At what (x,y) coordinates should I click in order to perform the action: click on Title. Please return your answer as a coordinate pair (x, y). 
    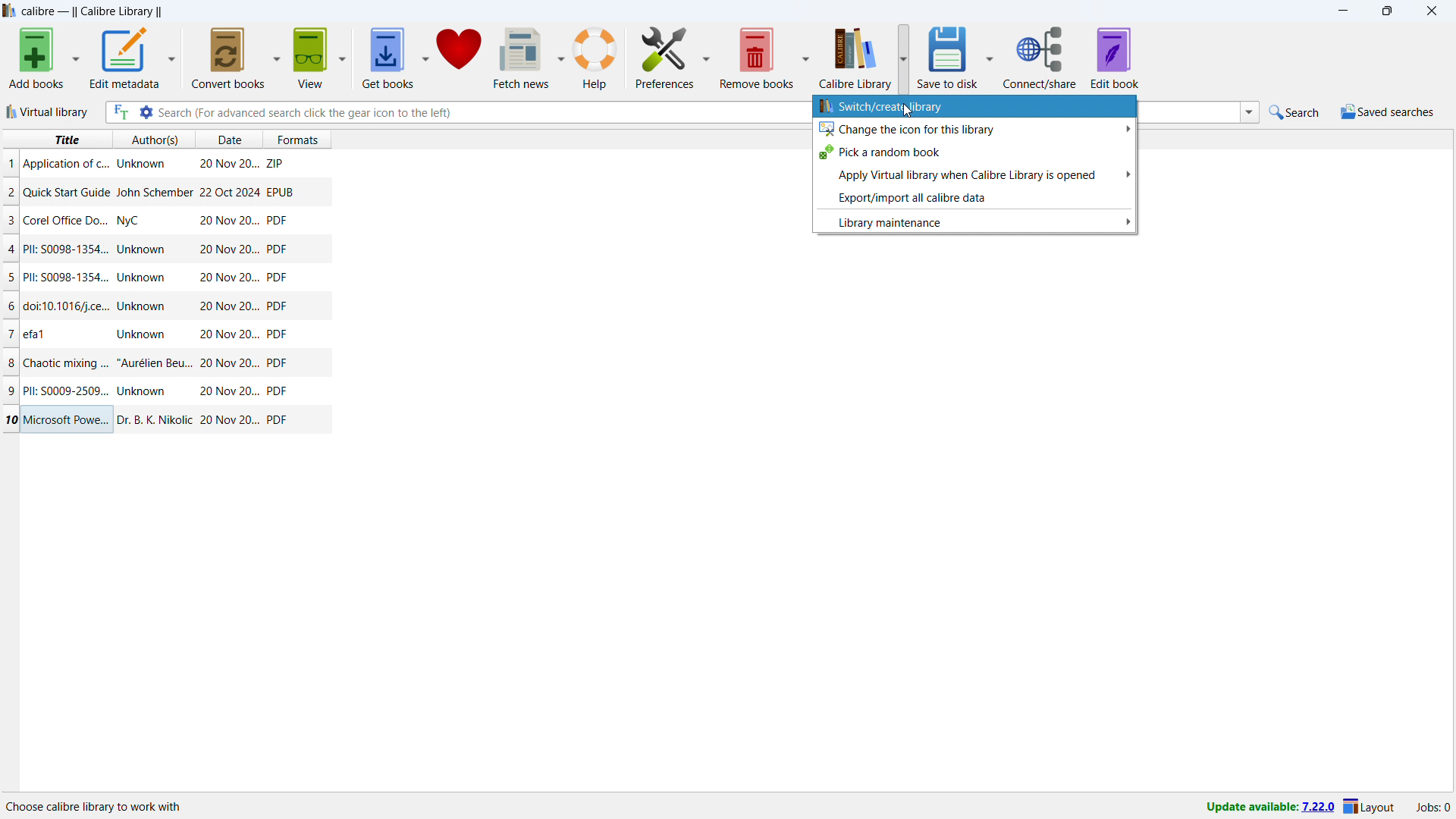
    Looking at the image, I should click on (66, 362).